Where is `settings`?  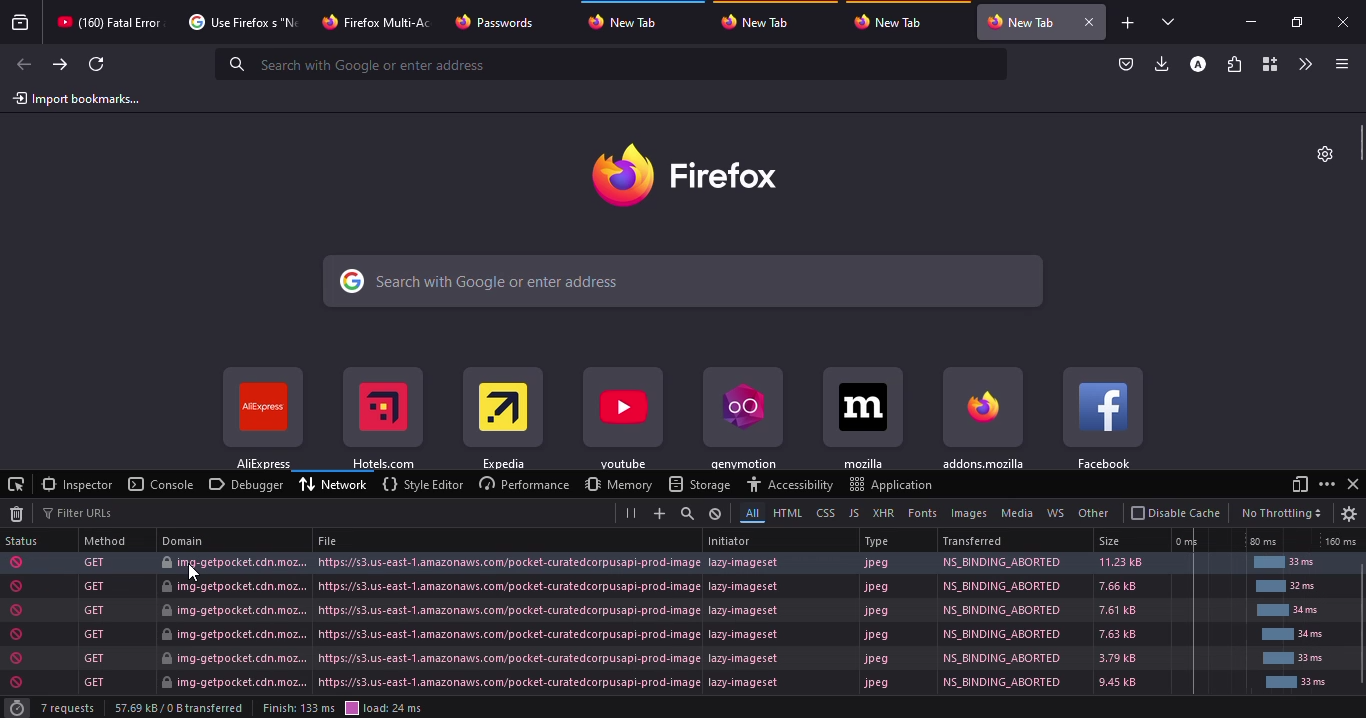 settings is located at coordinates (1350, 514).